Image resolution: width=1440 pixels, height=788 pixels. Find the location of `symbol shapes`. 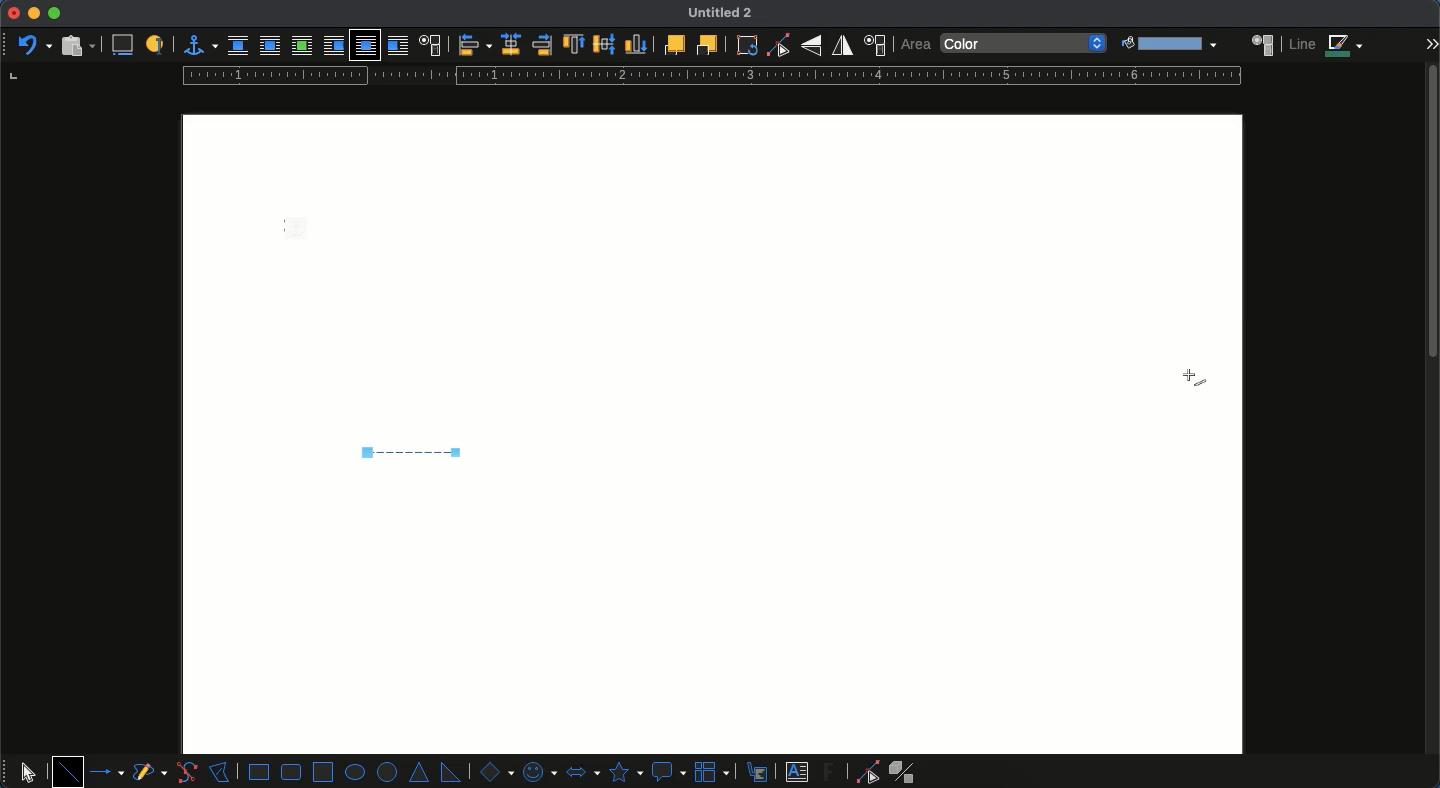

symbol shapes is located at coordinates (538, 771).